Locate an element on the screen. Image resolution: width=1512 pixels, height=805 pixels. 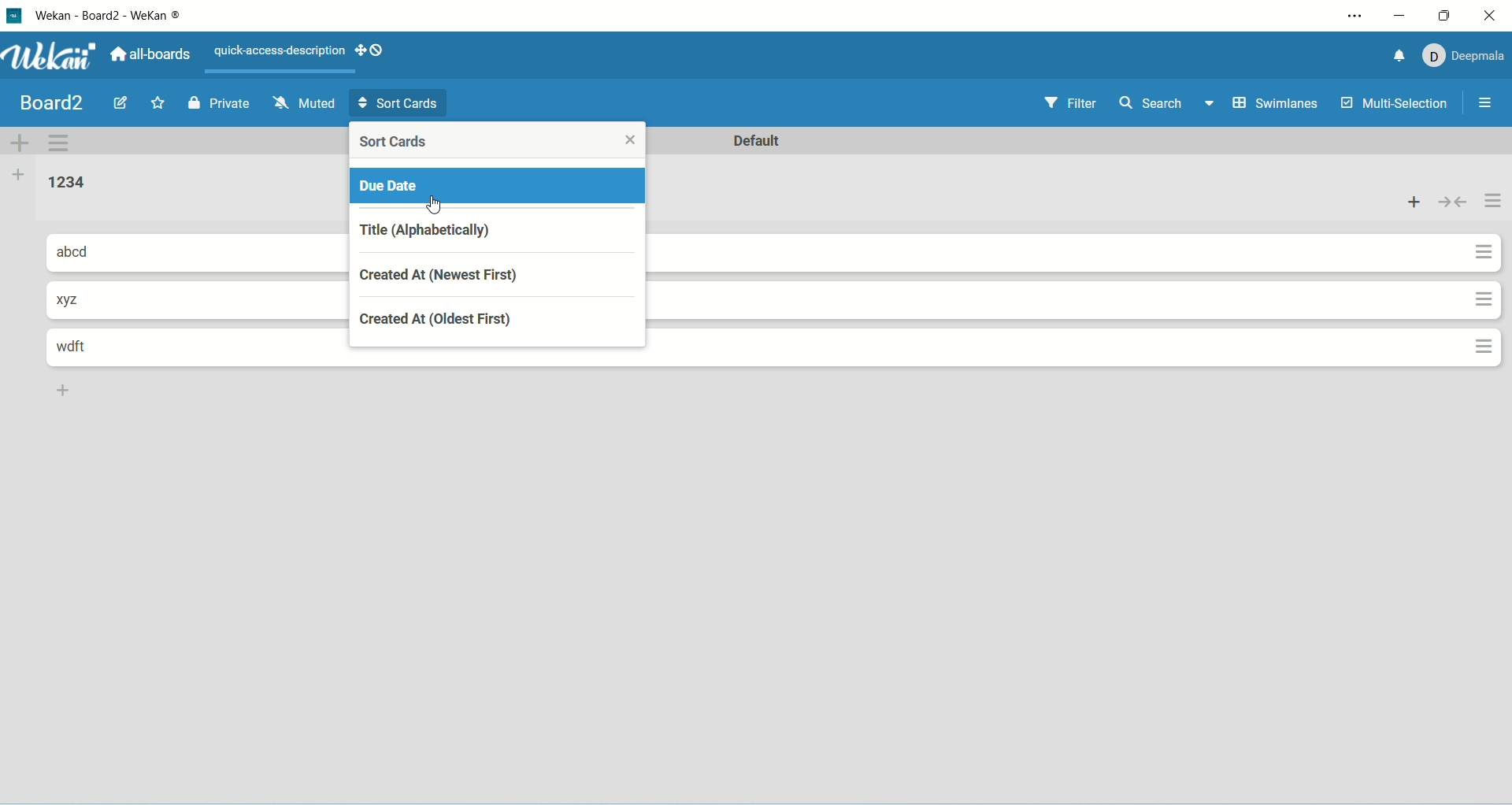
filter is located at coordinates (1076, 102).